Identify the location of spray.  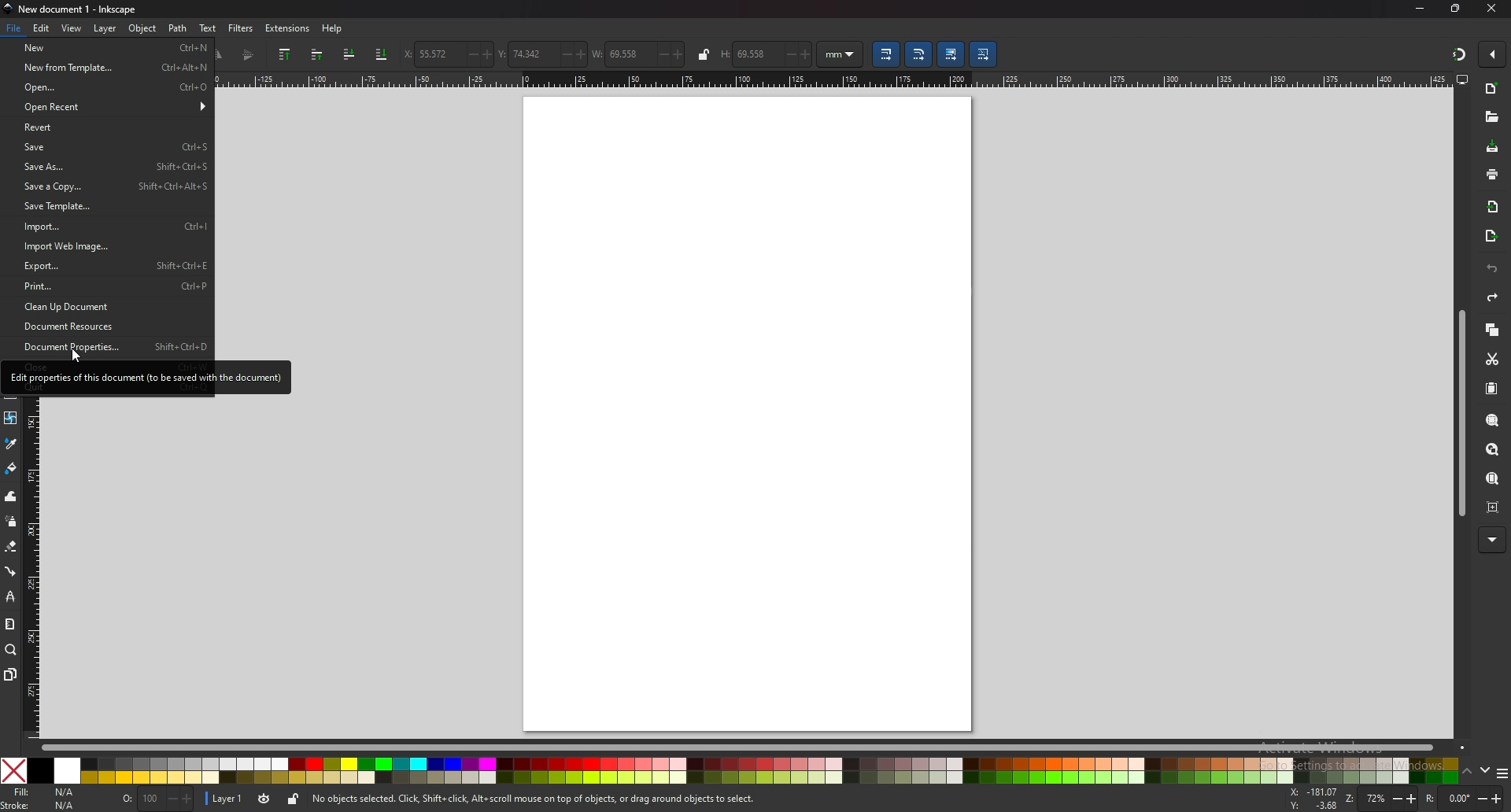
(11, 522).